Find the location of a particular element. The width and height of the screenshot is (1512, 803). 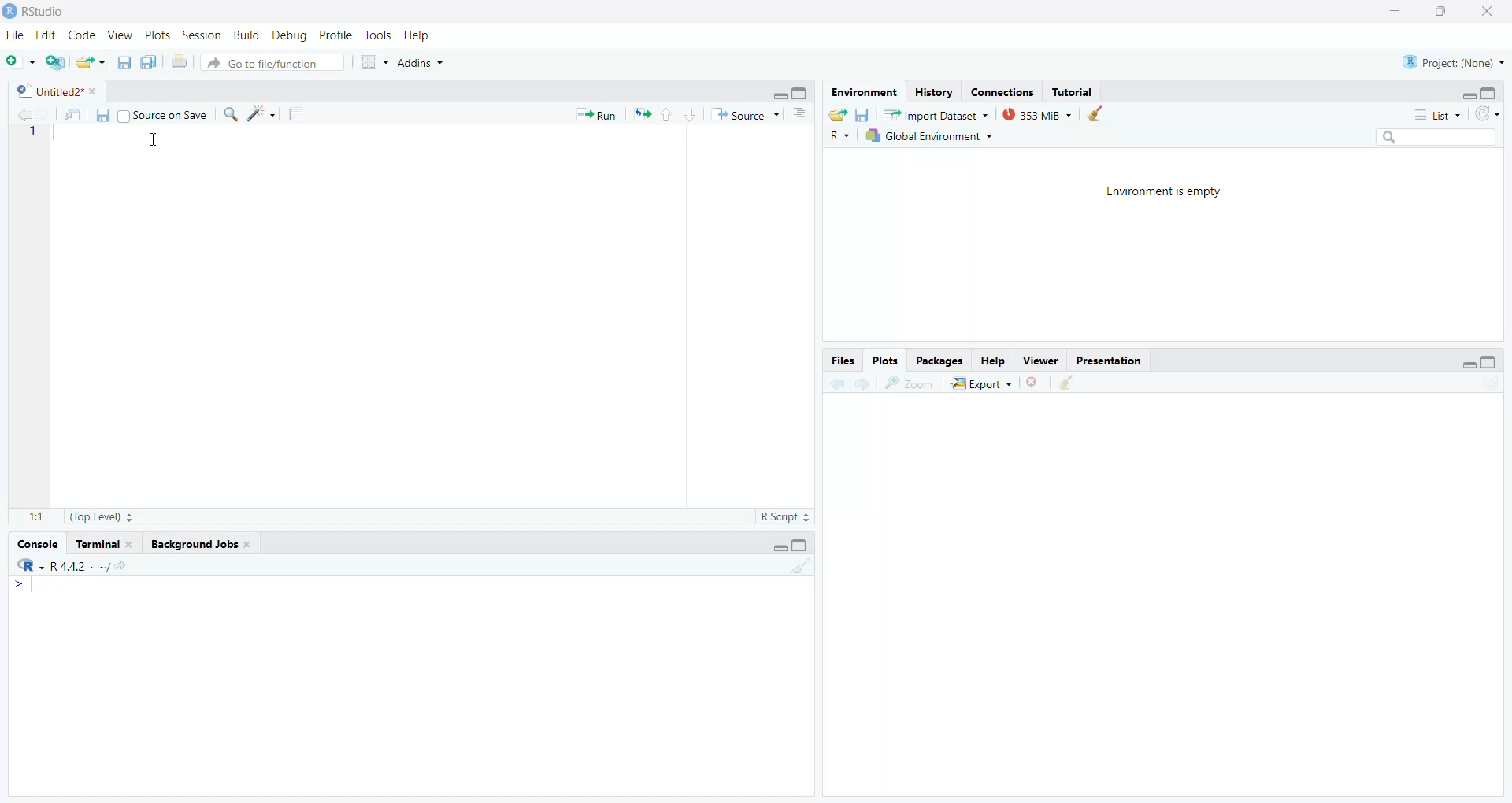

Plots is located at coordinates (156, 35).